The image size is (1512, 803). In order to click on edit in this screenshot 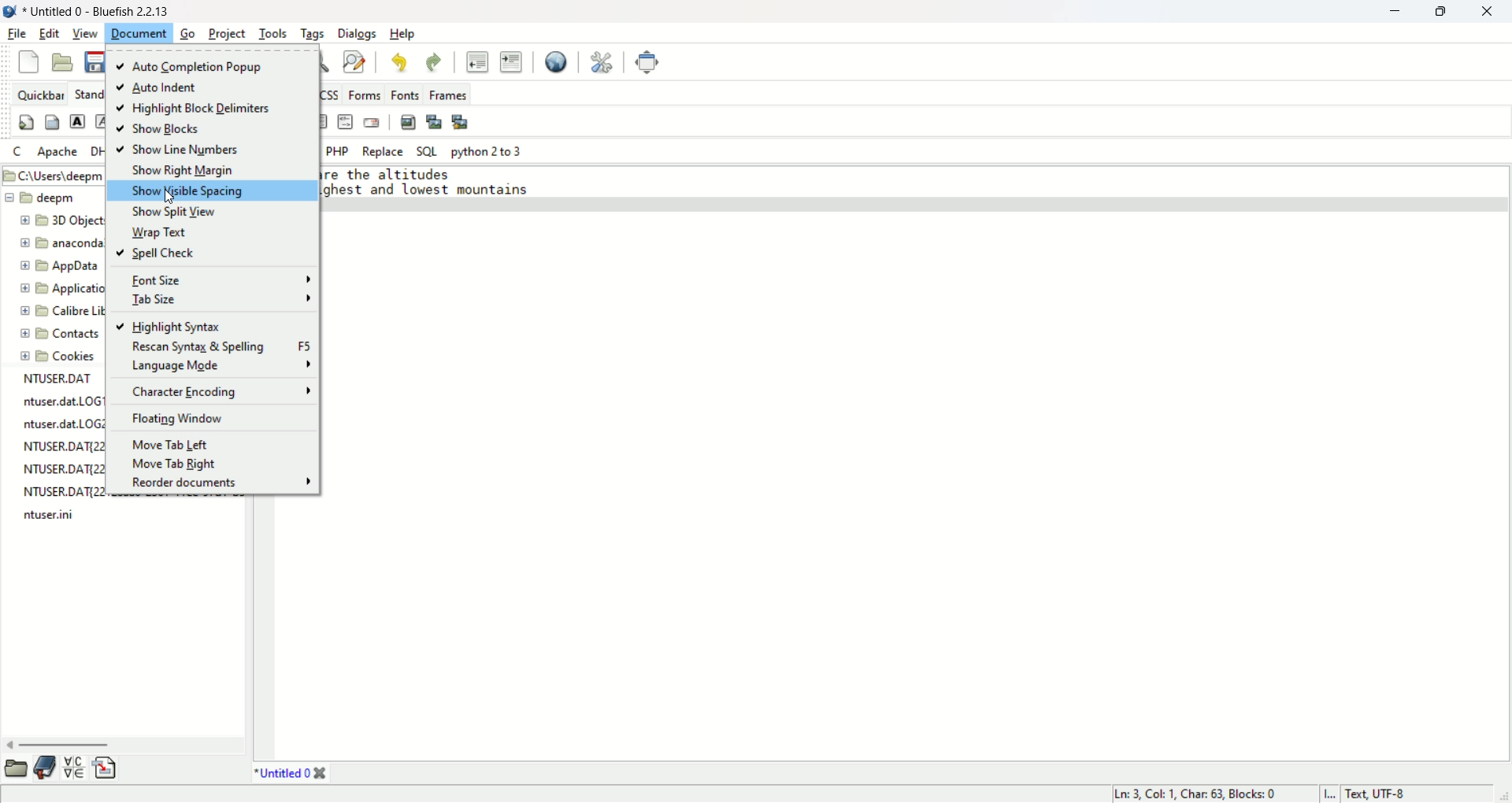, I will do `click(46, 33)`.